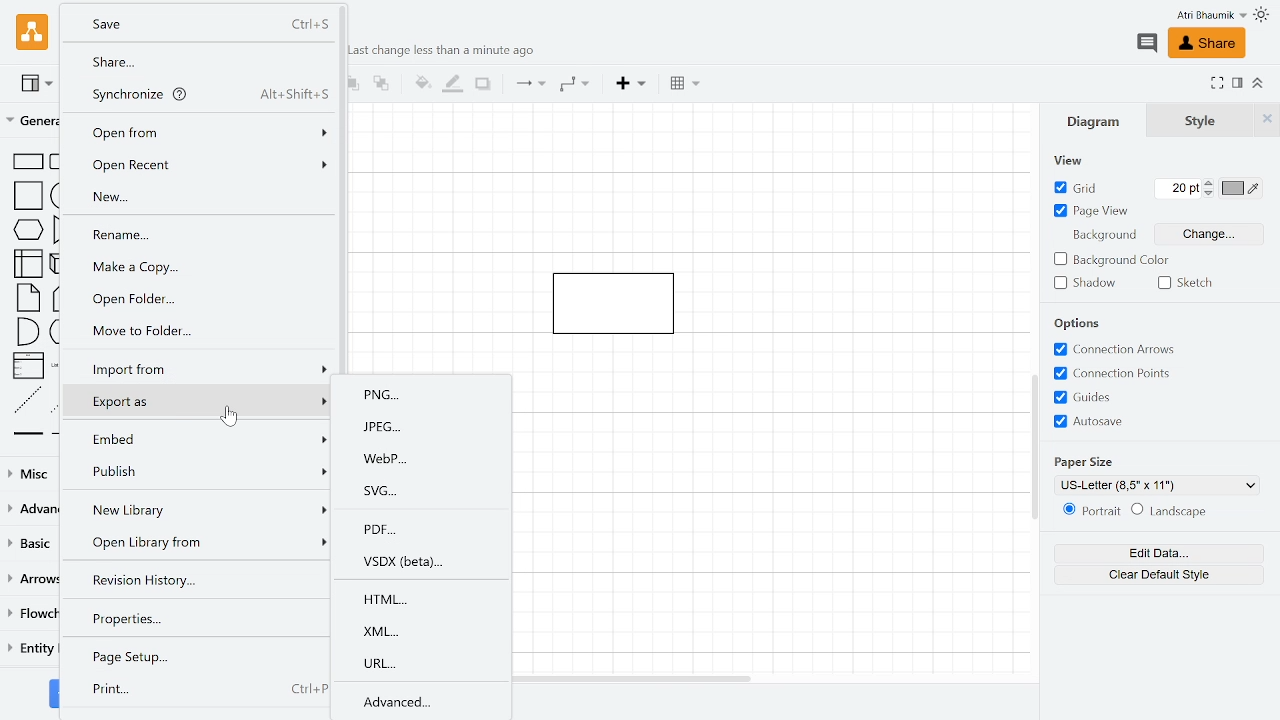 This screenshot has width=1280, height=720. What do you see at coordinates (1159, 574) in the screenshot?
I see `Clear default style` at bounding box center [1159, 574].